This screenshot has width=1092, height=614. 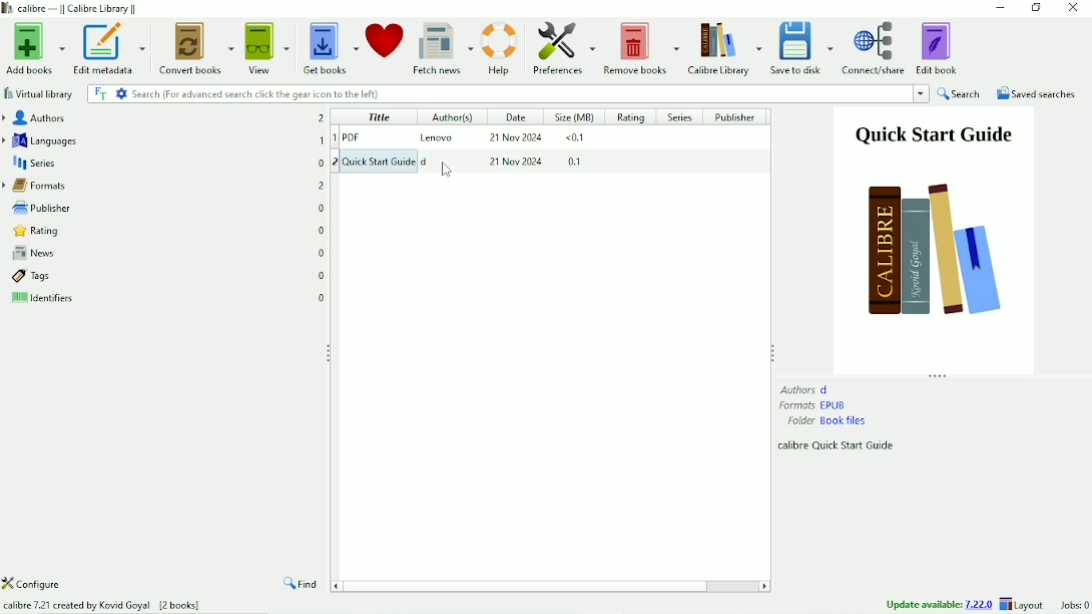 What do you see at coordinates (384, 40) in the screenshot?
I see `Donate` at bounding box center [384, 40].